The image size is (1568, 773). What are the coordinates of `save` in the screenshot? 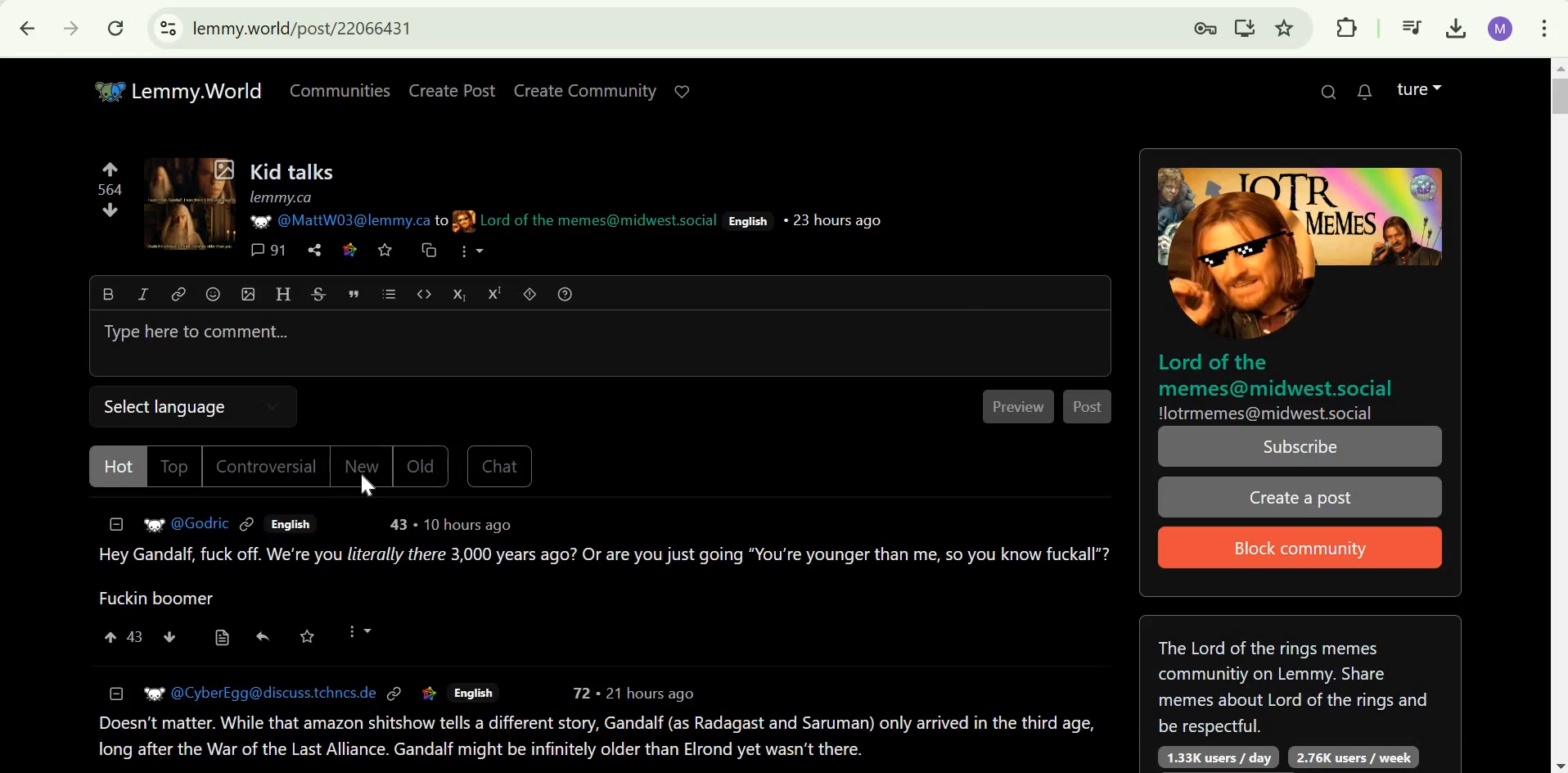 It's located at (307, 635).